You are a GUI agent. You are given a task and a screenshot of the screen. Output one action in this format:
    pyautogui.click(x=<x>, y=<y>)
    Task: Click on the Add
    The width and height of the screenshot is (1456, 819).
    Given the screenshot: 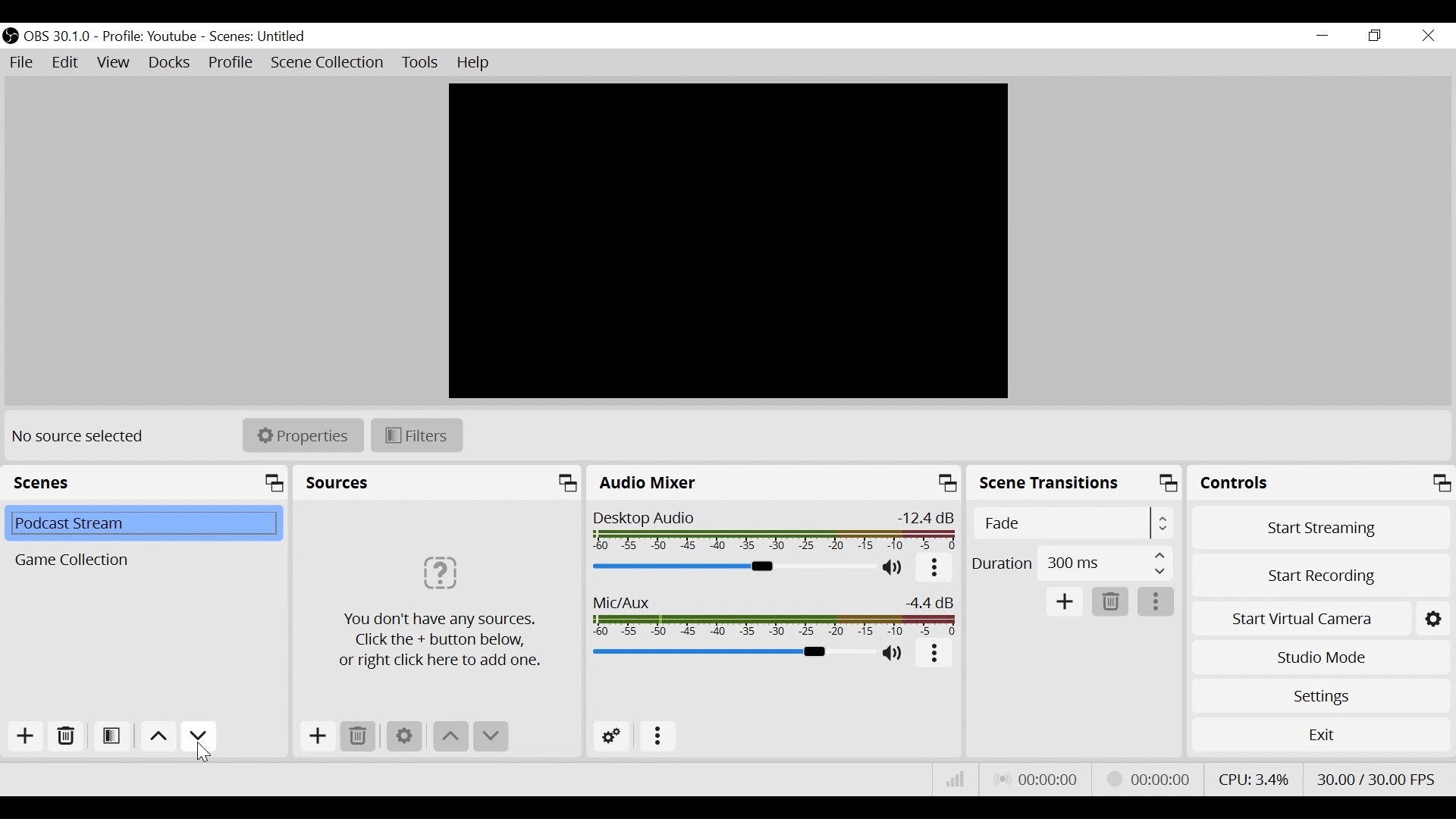 What is the action you would take?
    pyautogui.click(x=24, y=736)
    